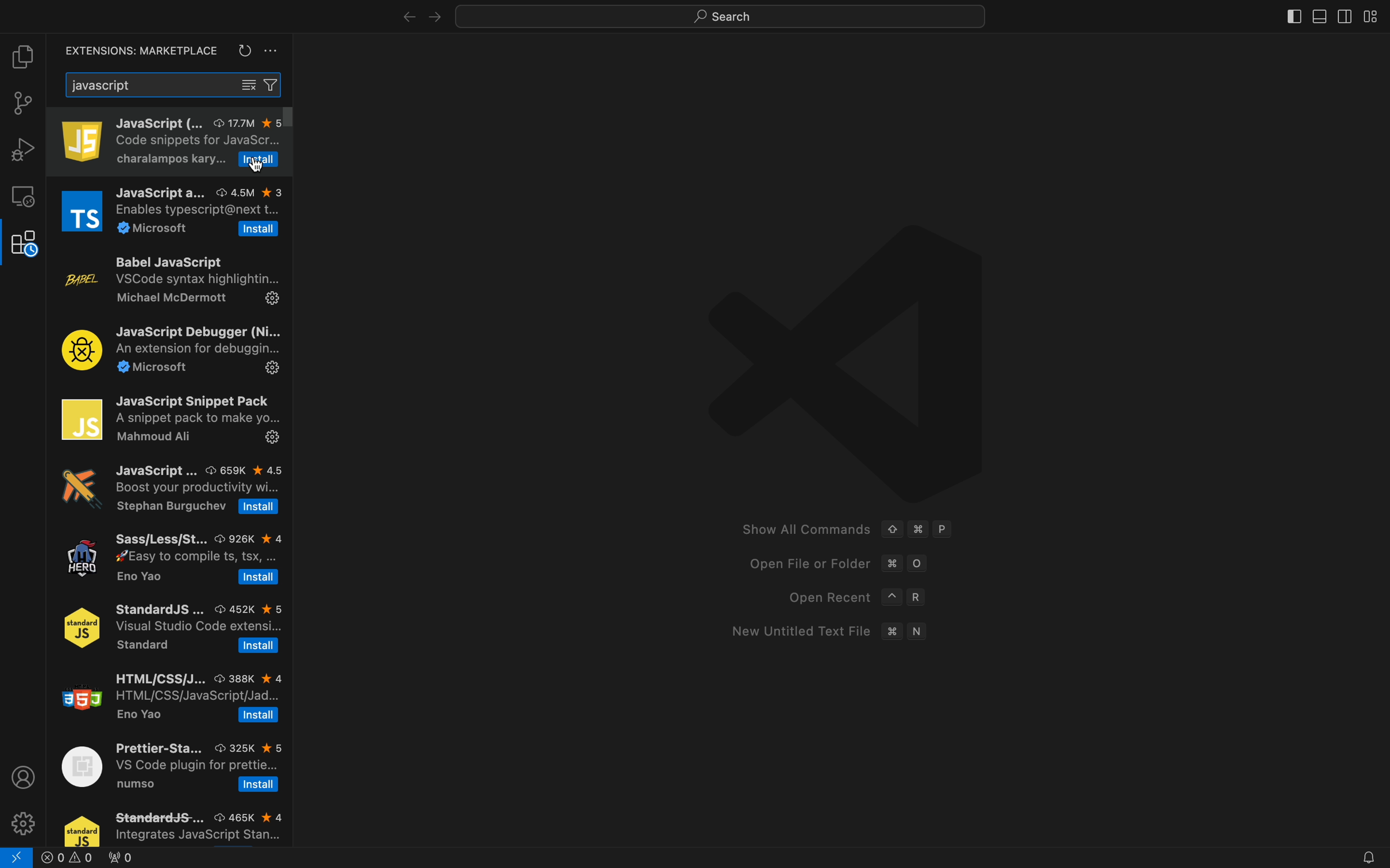  I want to click on show all commands, so click(856, 531).